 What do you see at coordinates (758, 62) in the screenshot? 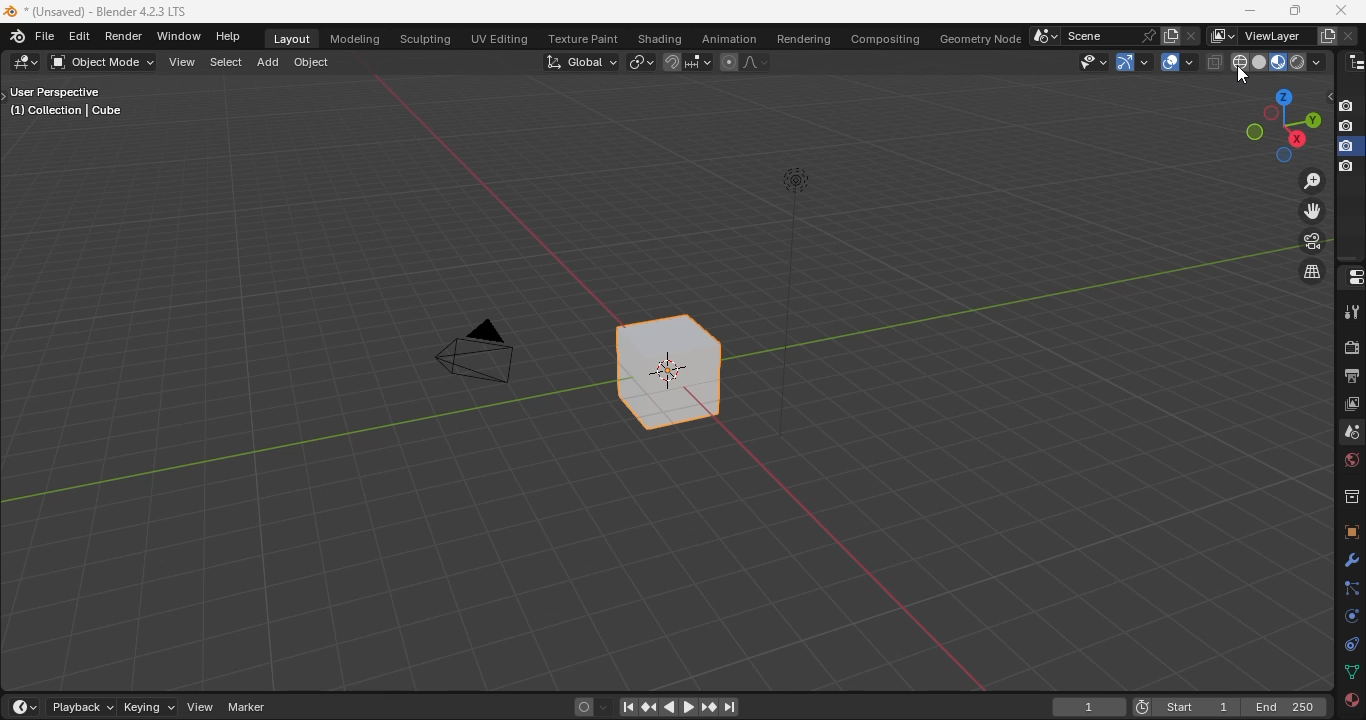
I see `proportional editing falloff` at bounding box center [758, 62].